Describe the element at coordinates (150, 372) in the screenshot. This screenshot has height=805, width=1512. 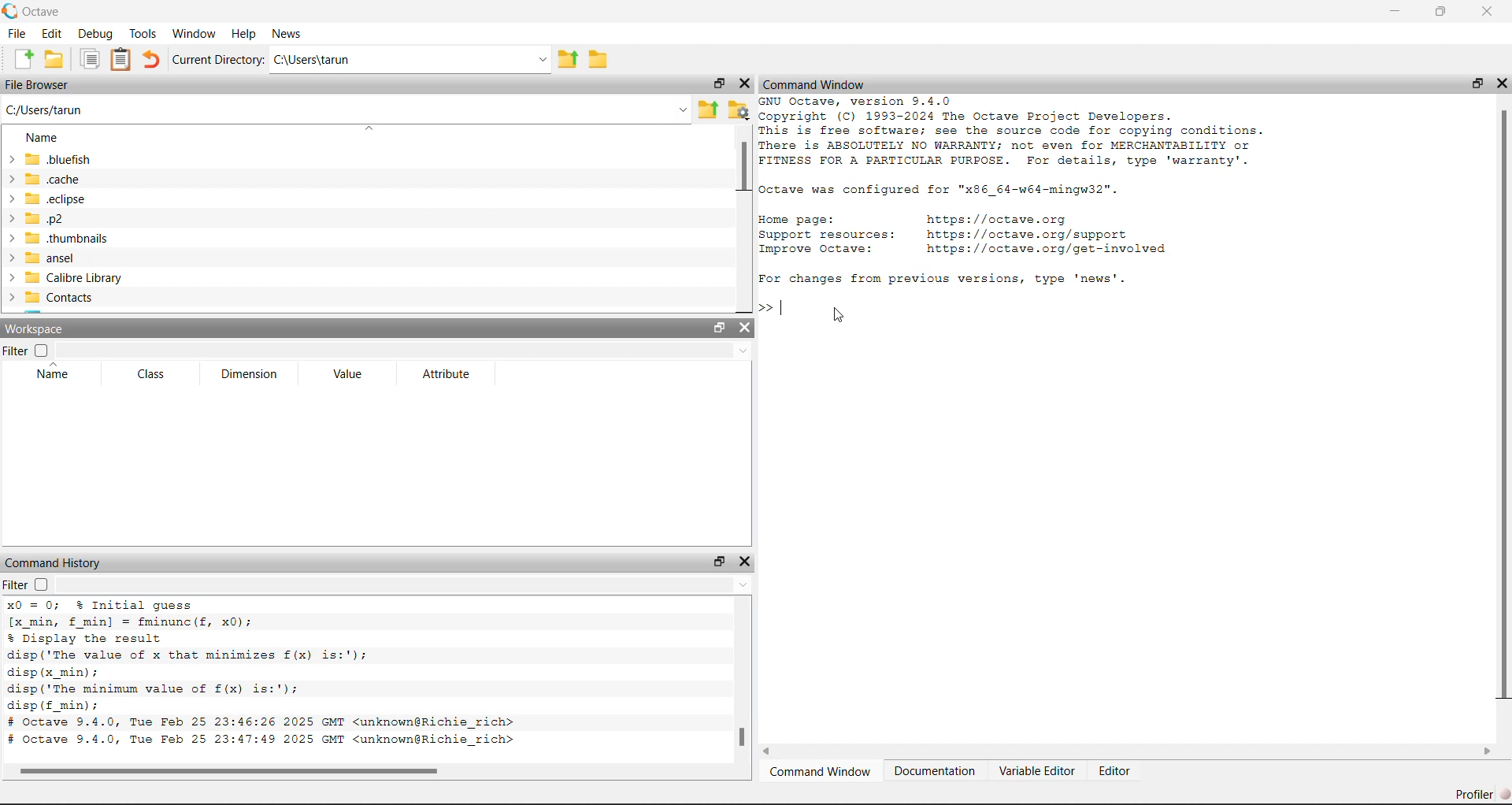
I see `Class` at that location.